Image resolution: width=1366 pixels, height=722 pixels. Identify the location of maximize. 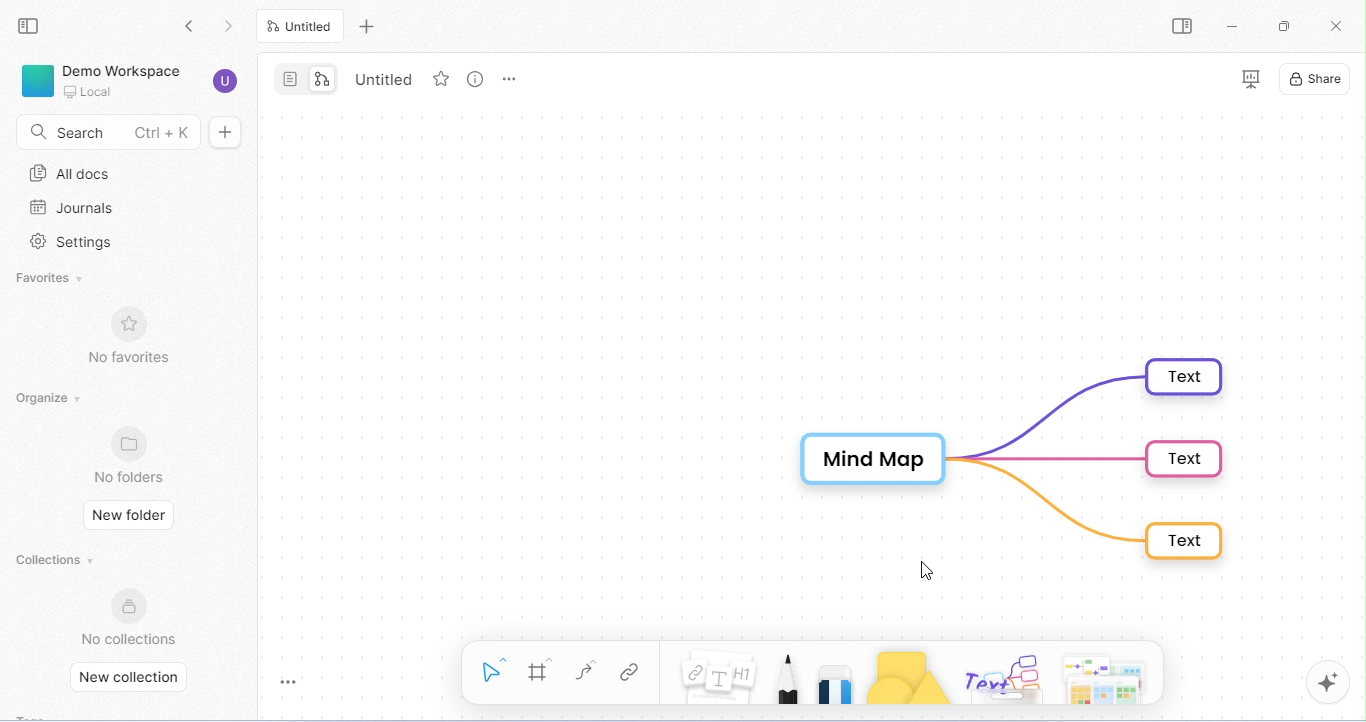
(1282, 26).